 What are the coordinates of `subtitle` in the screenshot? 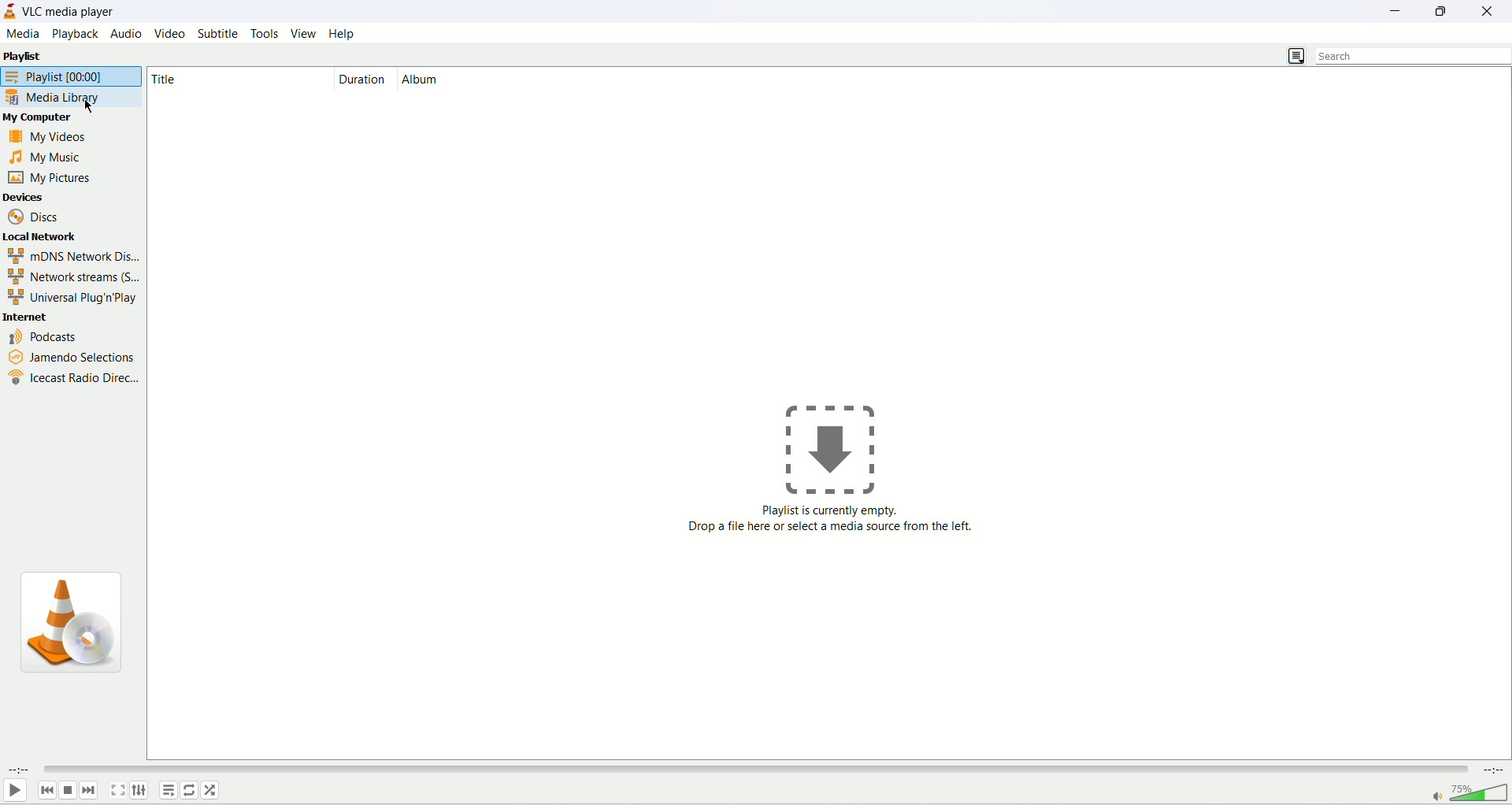 It's located at (217, 34).